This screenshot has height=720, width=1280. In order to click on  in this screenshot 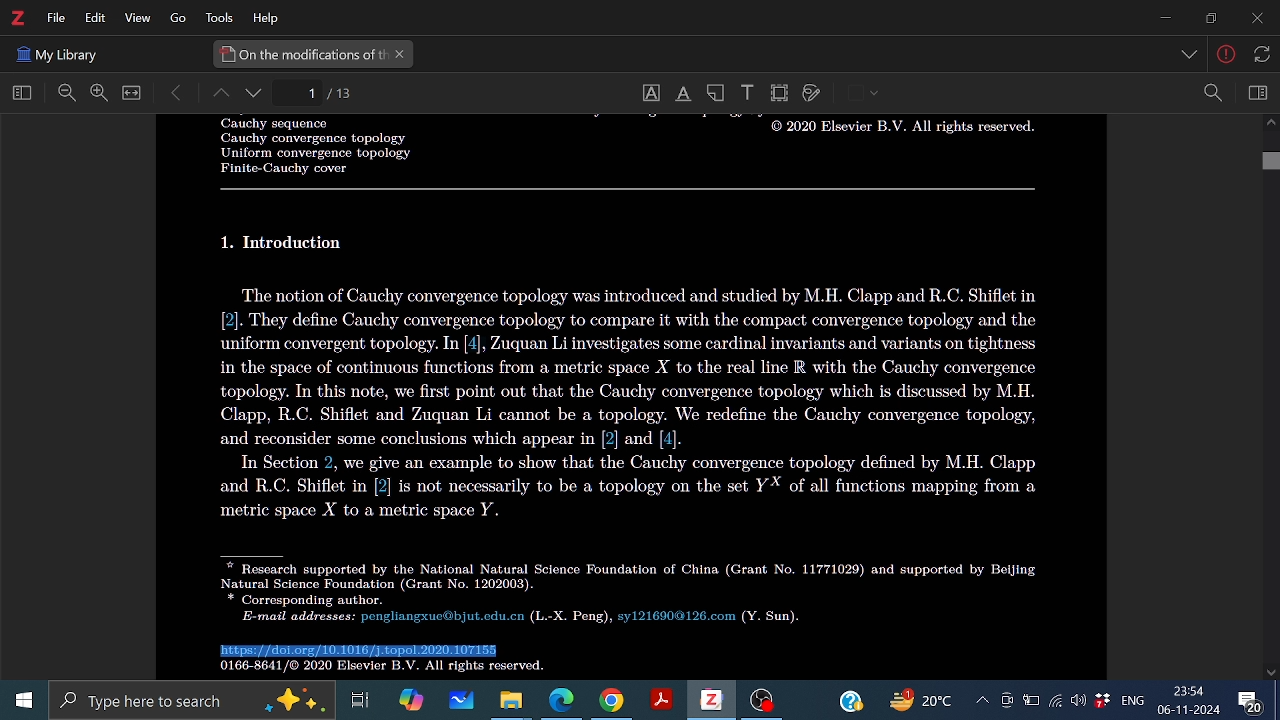, I will do `click(1259, 53)`.